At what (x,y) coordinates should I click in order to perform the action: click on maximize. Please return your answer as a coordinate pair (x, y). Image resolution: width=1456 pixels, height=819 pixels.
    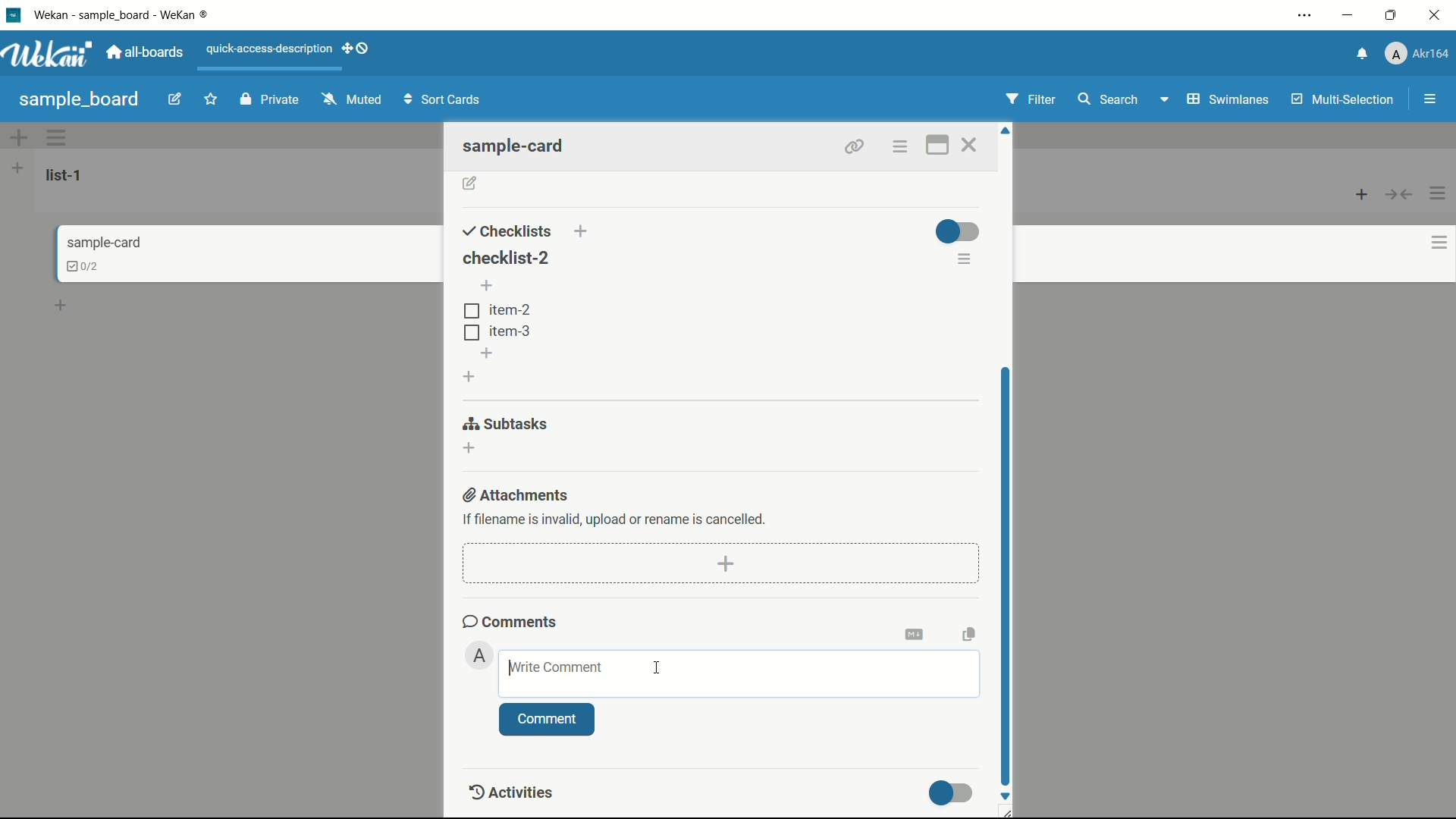
    Looking at the image, I should click on (1392, 14).